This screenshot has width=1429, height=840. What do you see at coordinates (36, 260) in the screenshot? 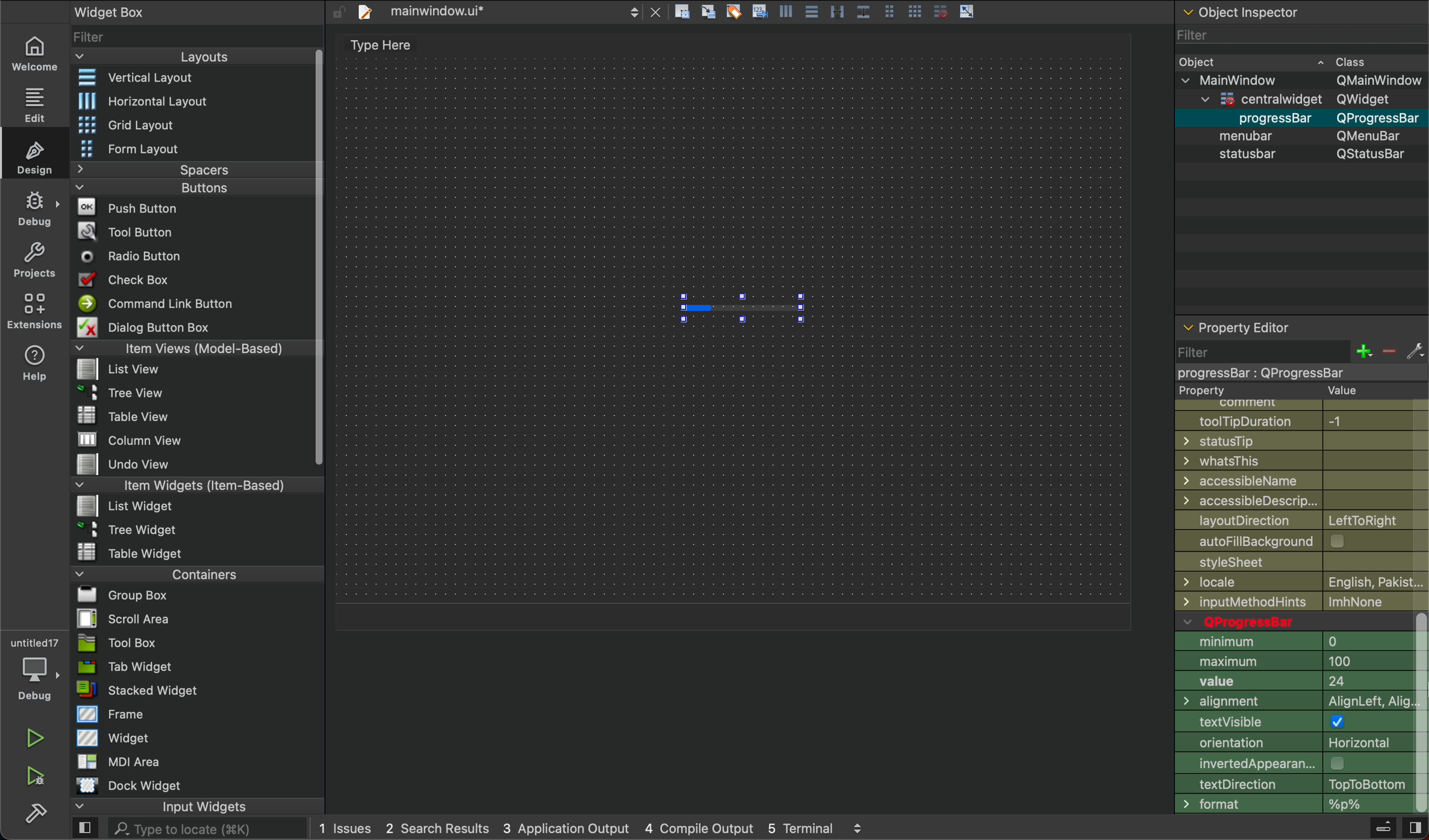
I see `project` at bounding box center [36, 260].